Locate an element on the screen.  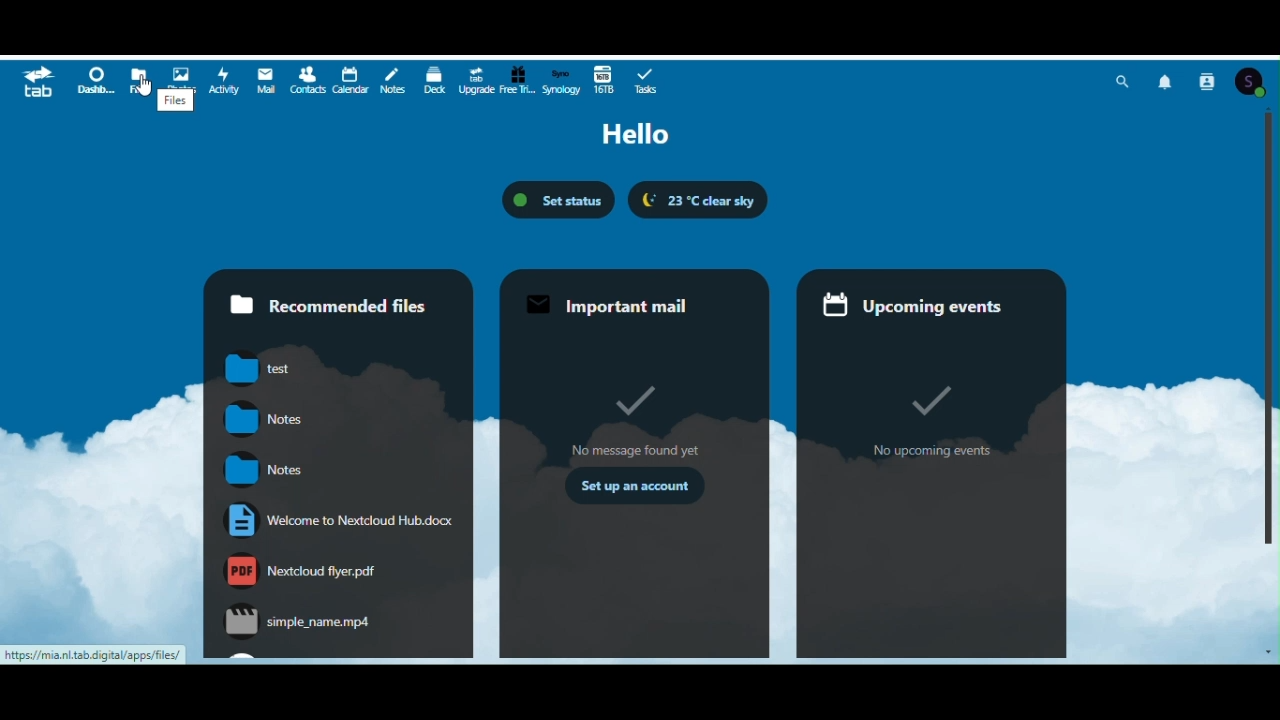
test is located at coordinates (263, 368).